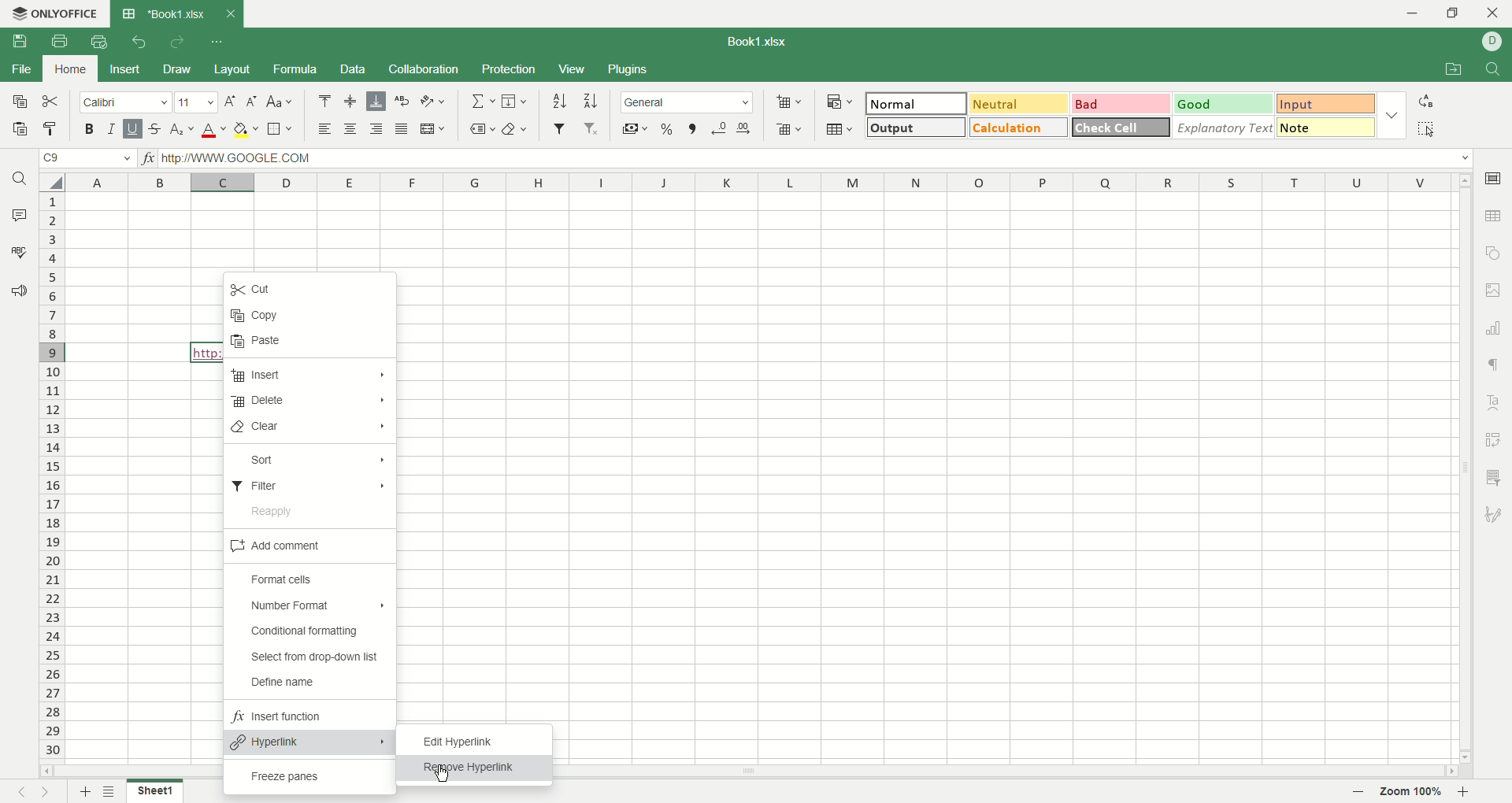 This screenshot has height=803, width=1512. I want to click on clear, so click(516, 131).